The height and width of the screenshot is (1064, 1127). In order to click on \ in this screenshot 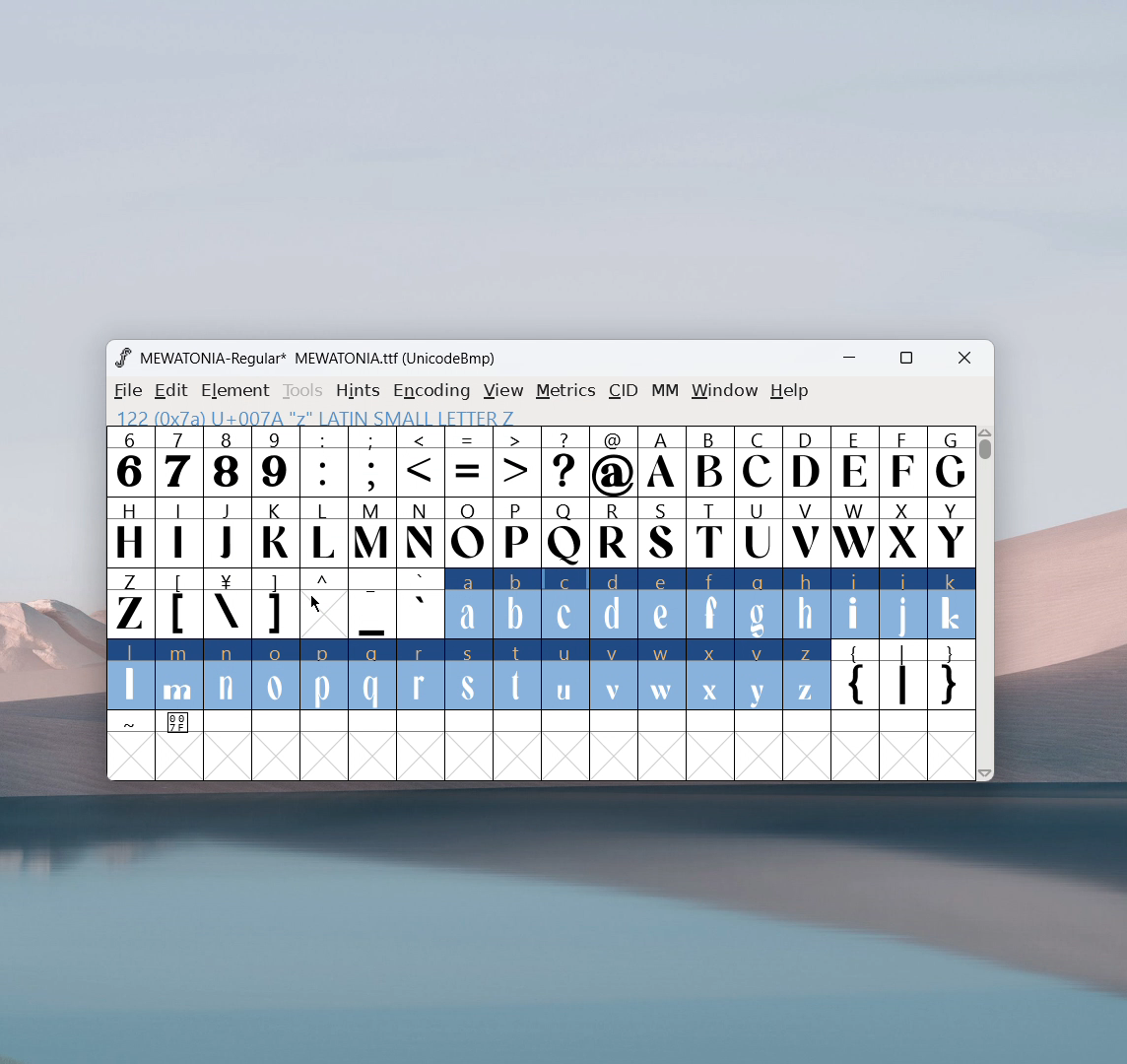, I will do `click(227, 604)`.